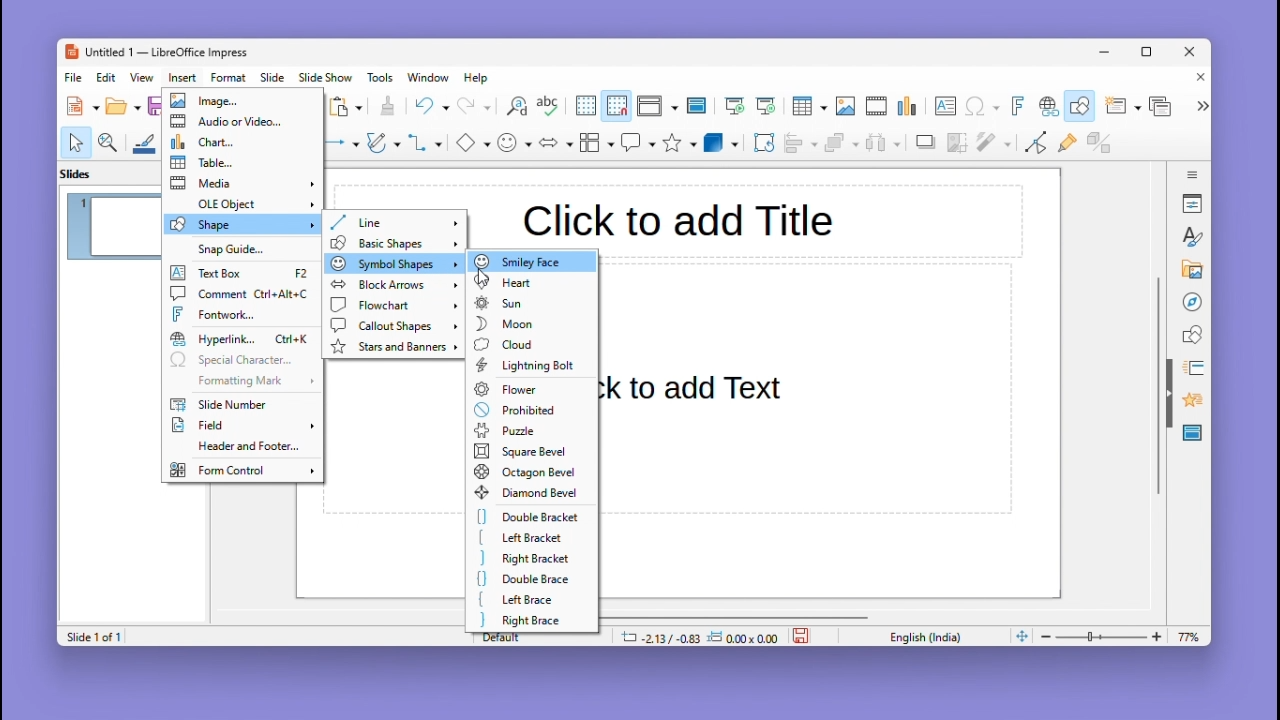  Describe the element at coordinates (237, 249) in the screenshot. I see `Snap GUIDE` at that location.